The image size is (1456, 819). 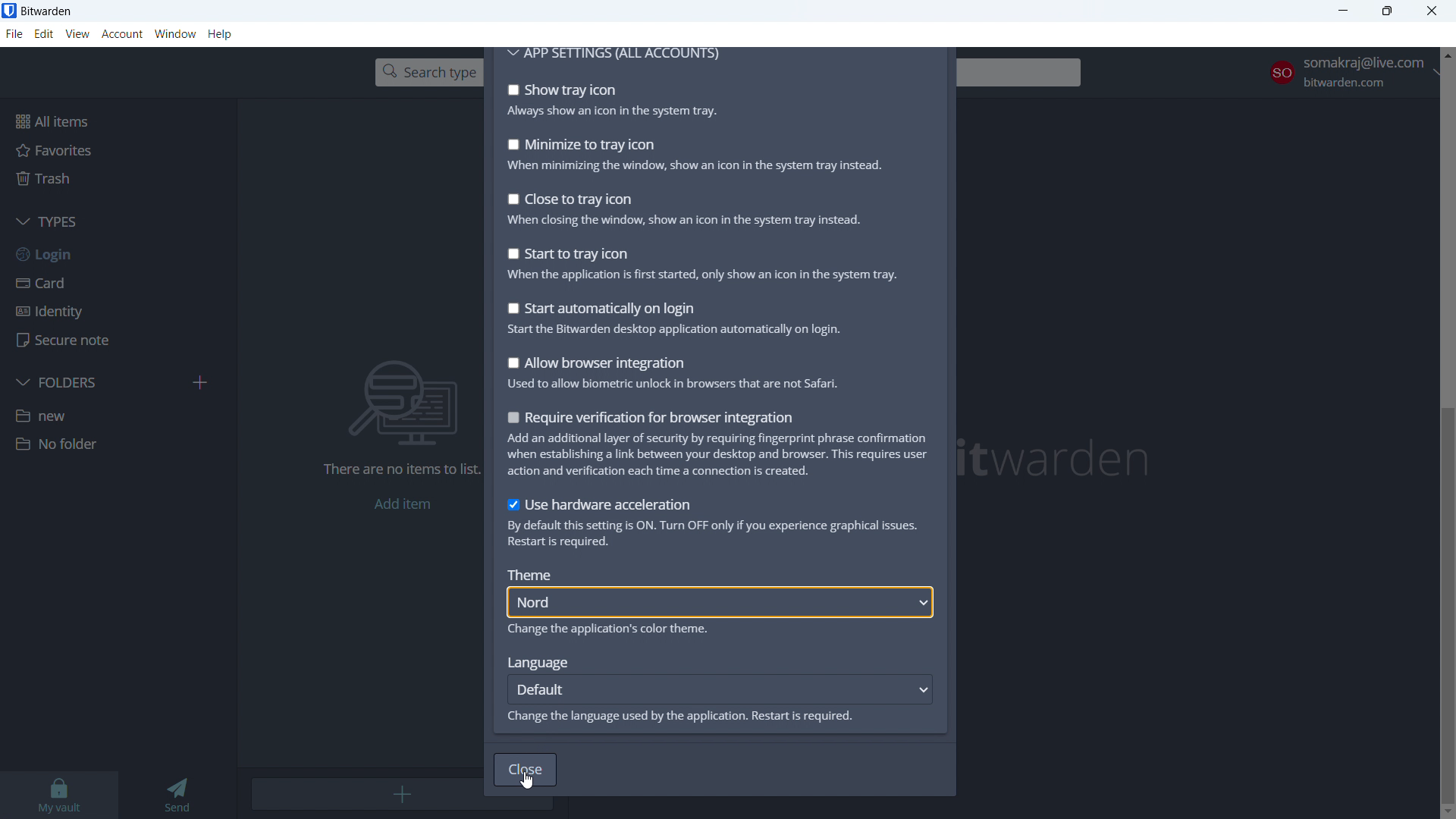 What do you see at coordinates (118, 414) in the screenshot?
I see `folder 1` at bounding box center [118, 414].